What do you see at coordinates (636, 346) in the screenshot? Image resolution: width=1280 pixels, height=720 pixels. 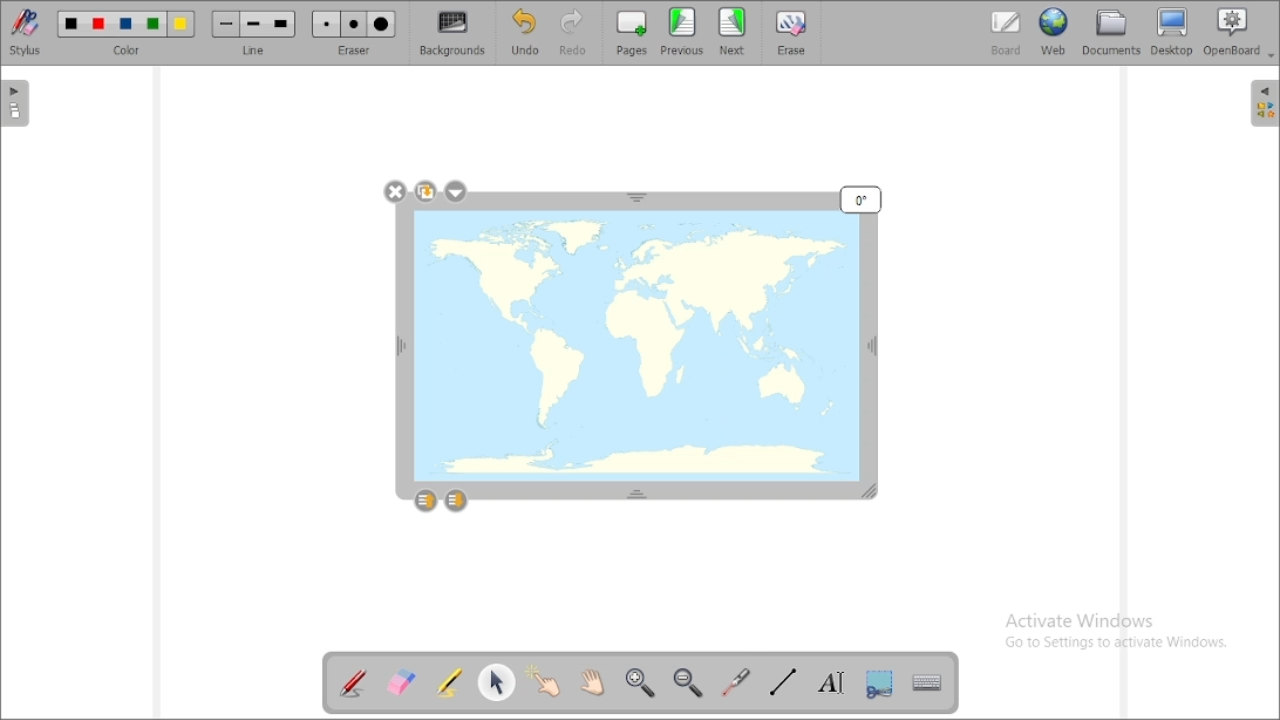 I see `image` at bounding box center [636, 346].